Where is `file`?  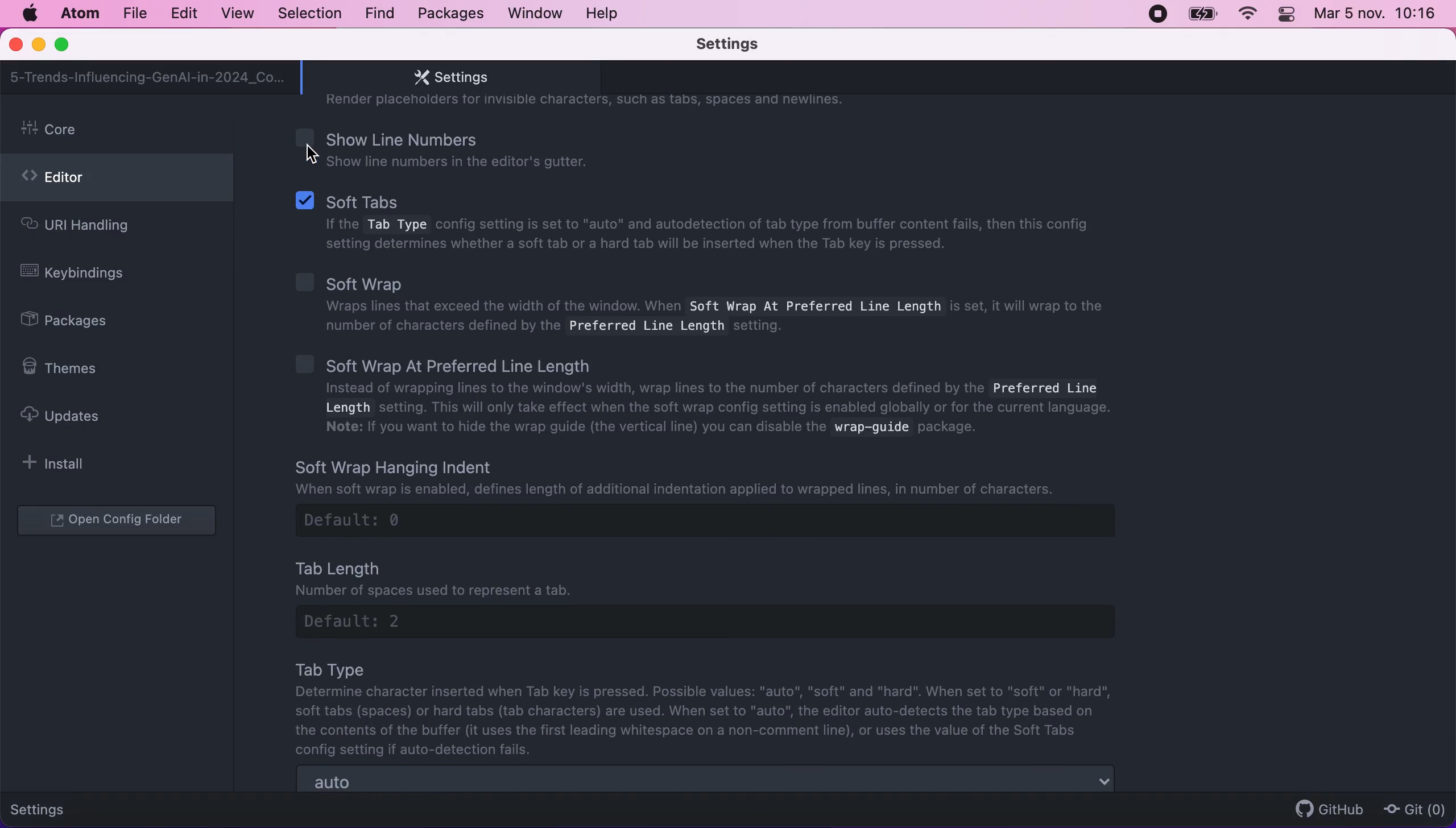 file is located at coordinates (134, 14).